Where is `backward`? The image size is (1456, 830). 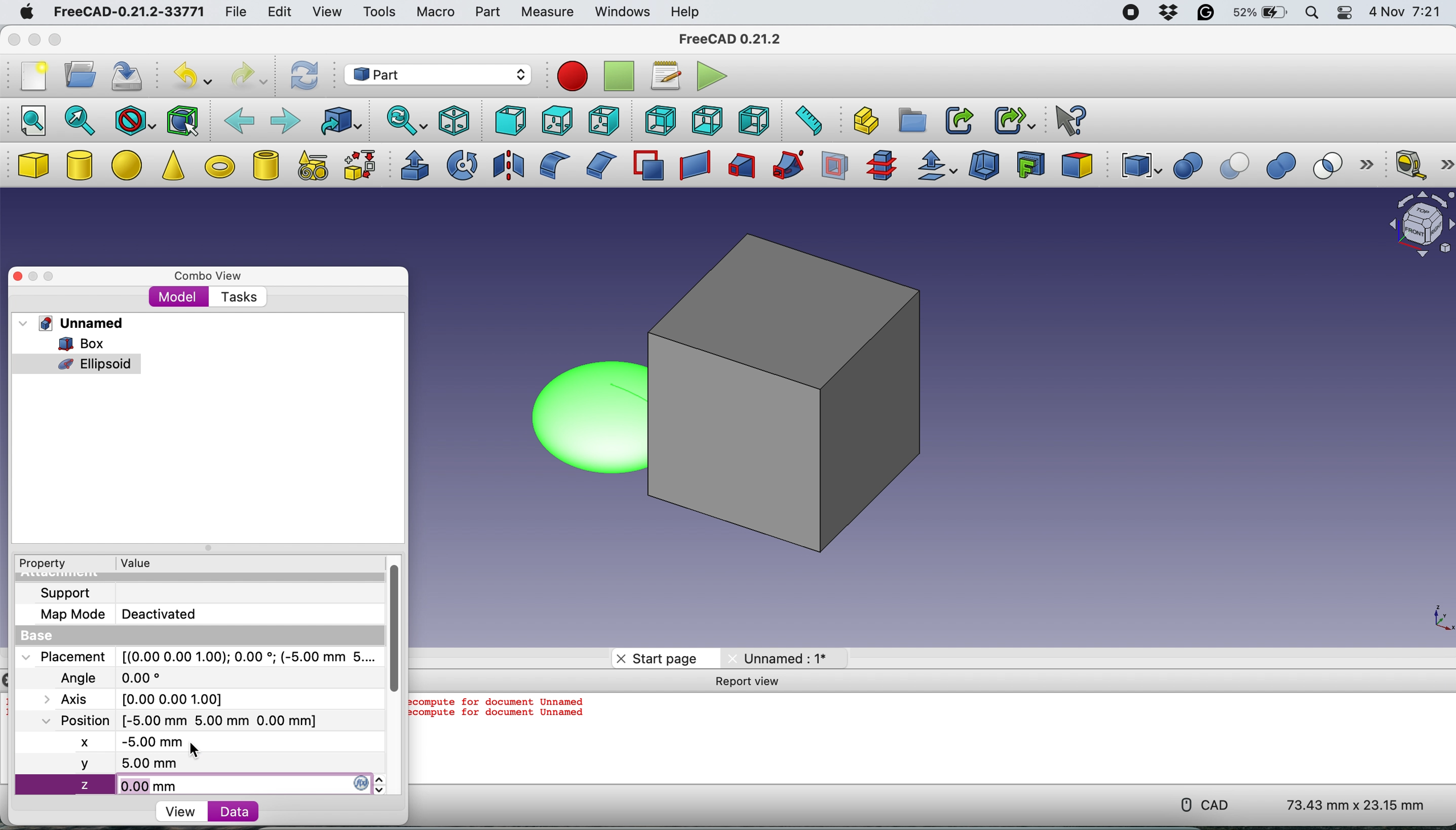
backward is located at coordinates (239, 119).